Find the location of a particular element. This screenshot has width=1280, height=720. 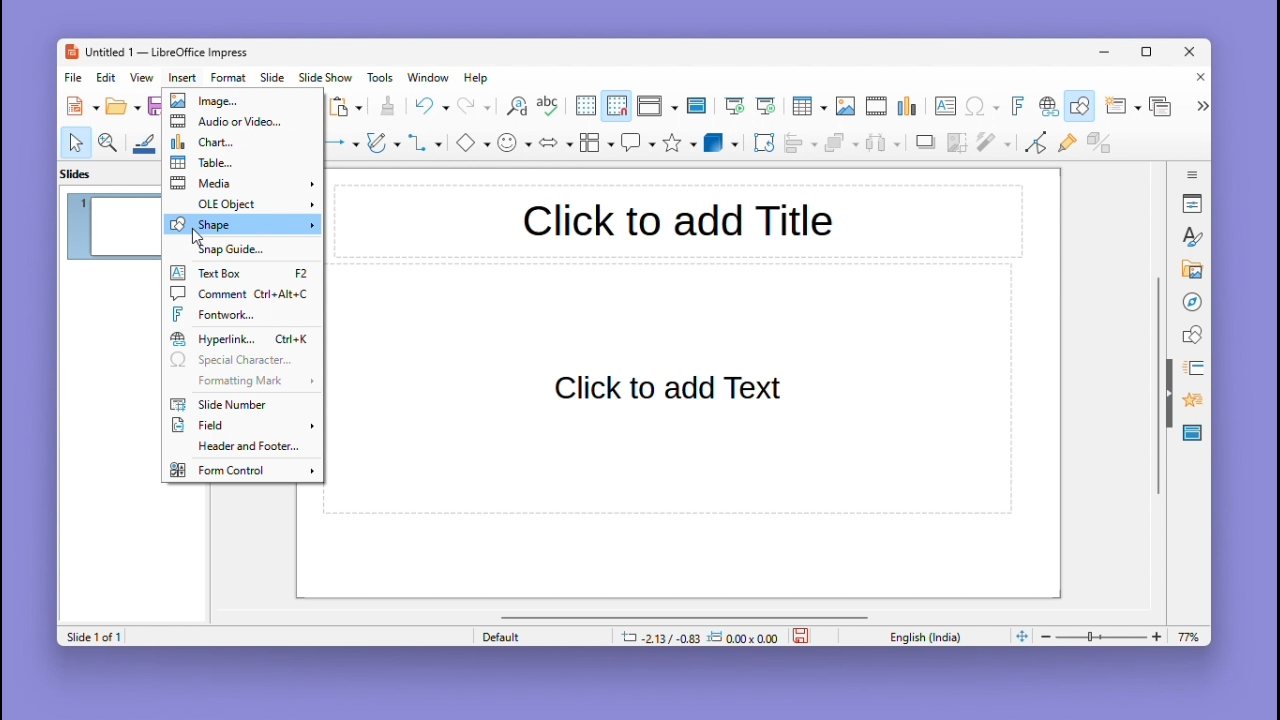

Content is located at coordinates (669, 391).